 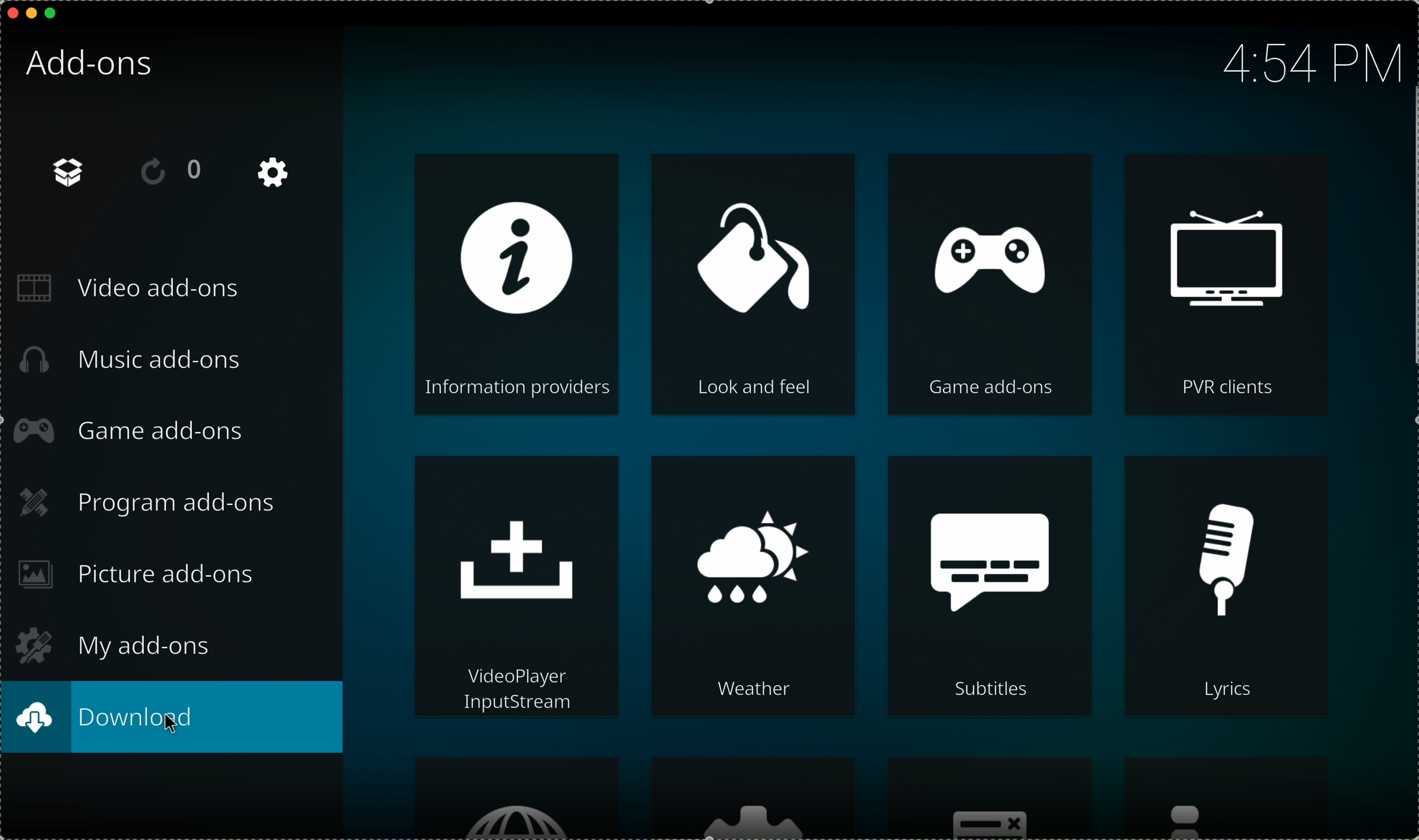 I want to click on settings, so click(x=753, y=799).